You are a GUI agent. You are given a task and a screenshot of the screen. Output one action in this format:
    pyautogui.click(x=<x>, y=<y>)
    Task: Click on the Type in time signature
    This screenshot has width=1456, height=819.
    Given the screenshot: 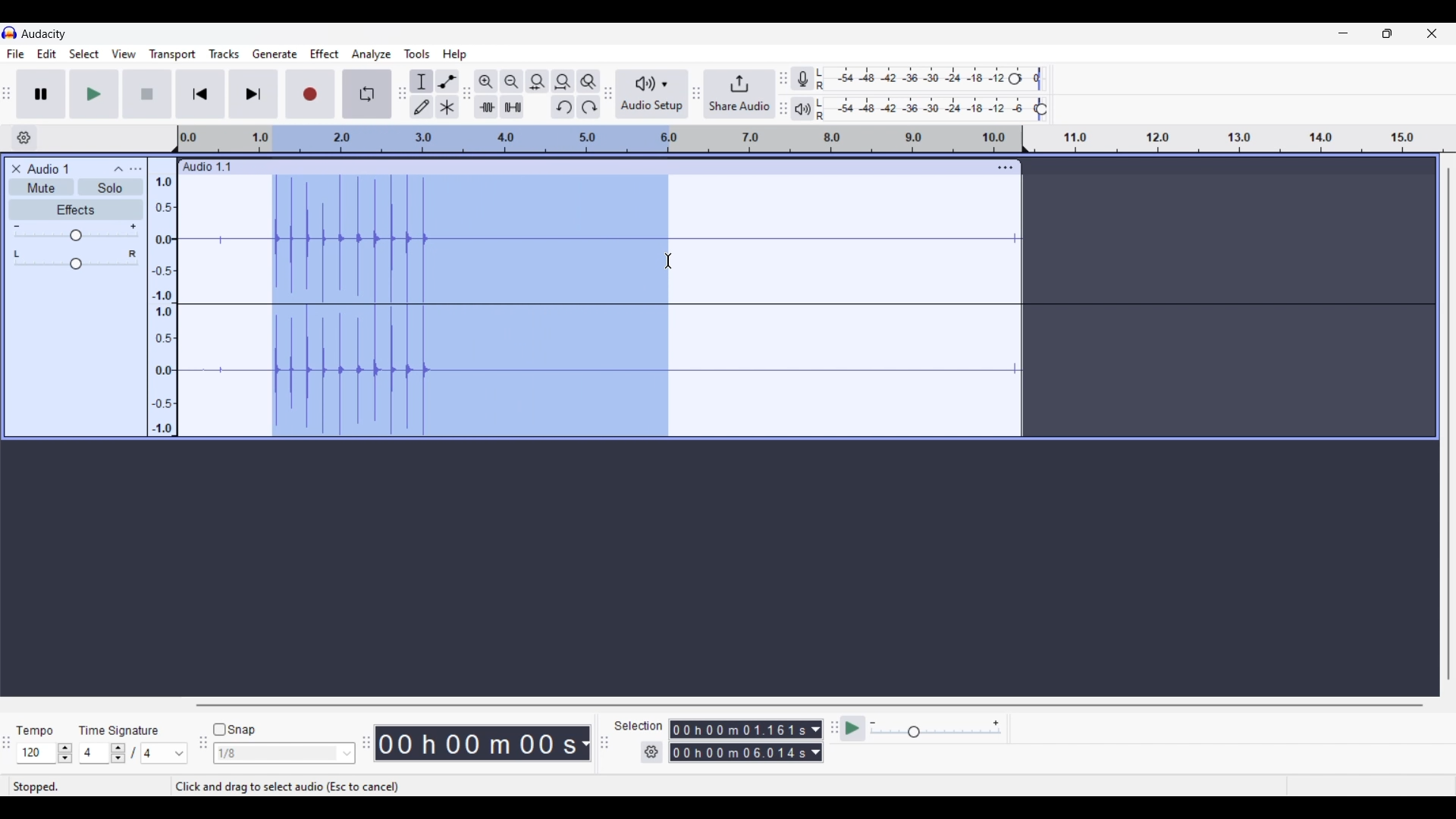 What is the action you would take?
    pyautogui.click(x=94, y=753)
    